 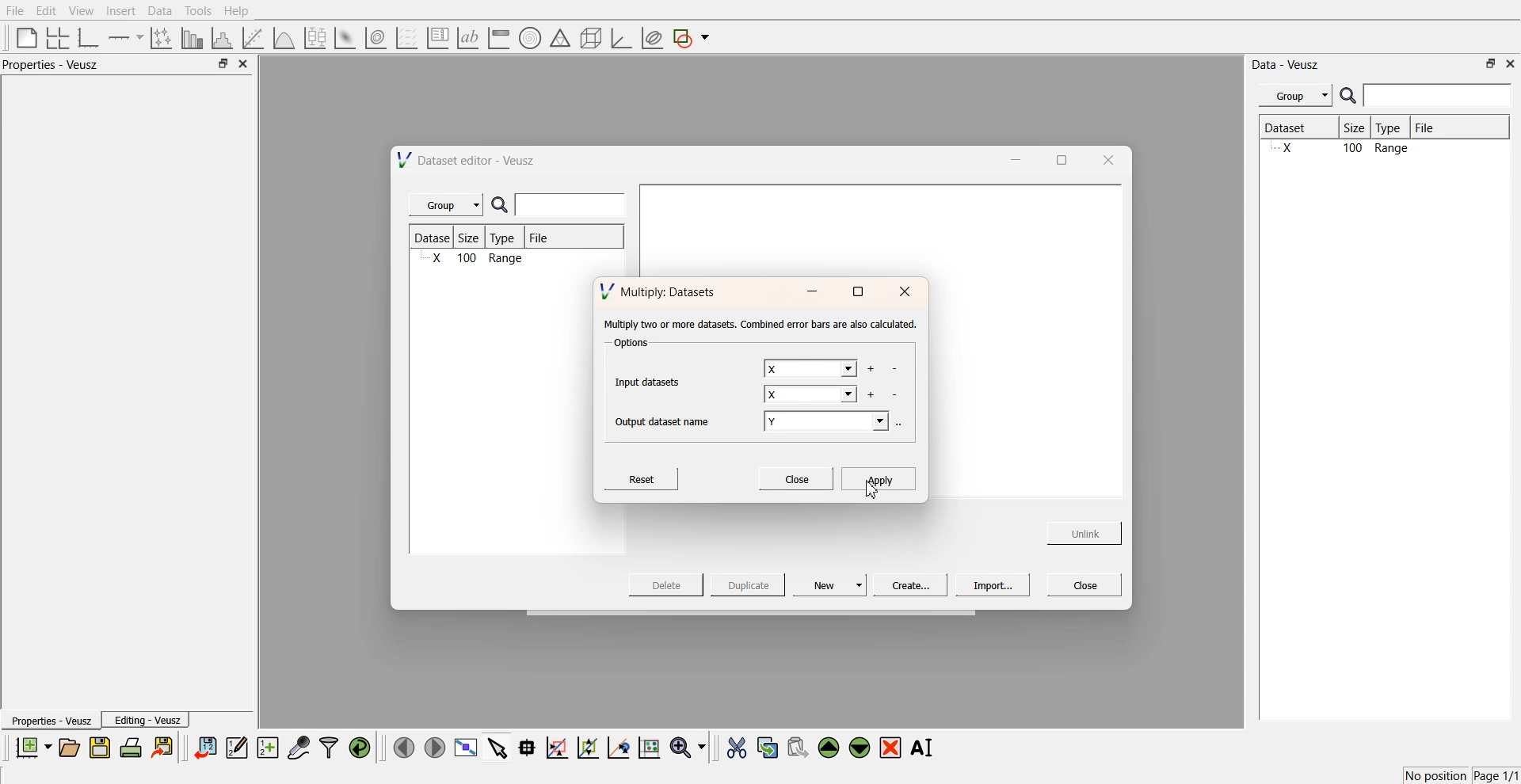 What do you see at coordinates (299, 748) in the screenshot?
I see `capture data points` at bounding box center [299, 748].